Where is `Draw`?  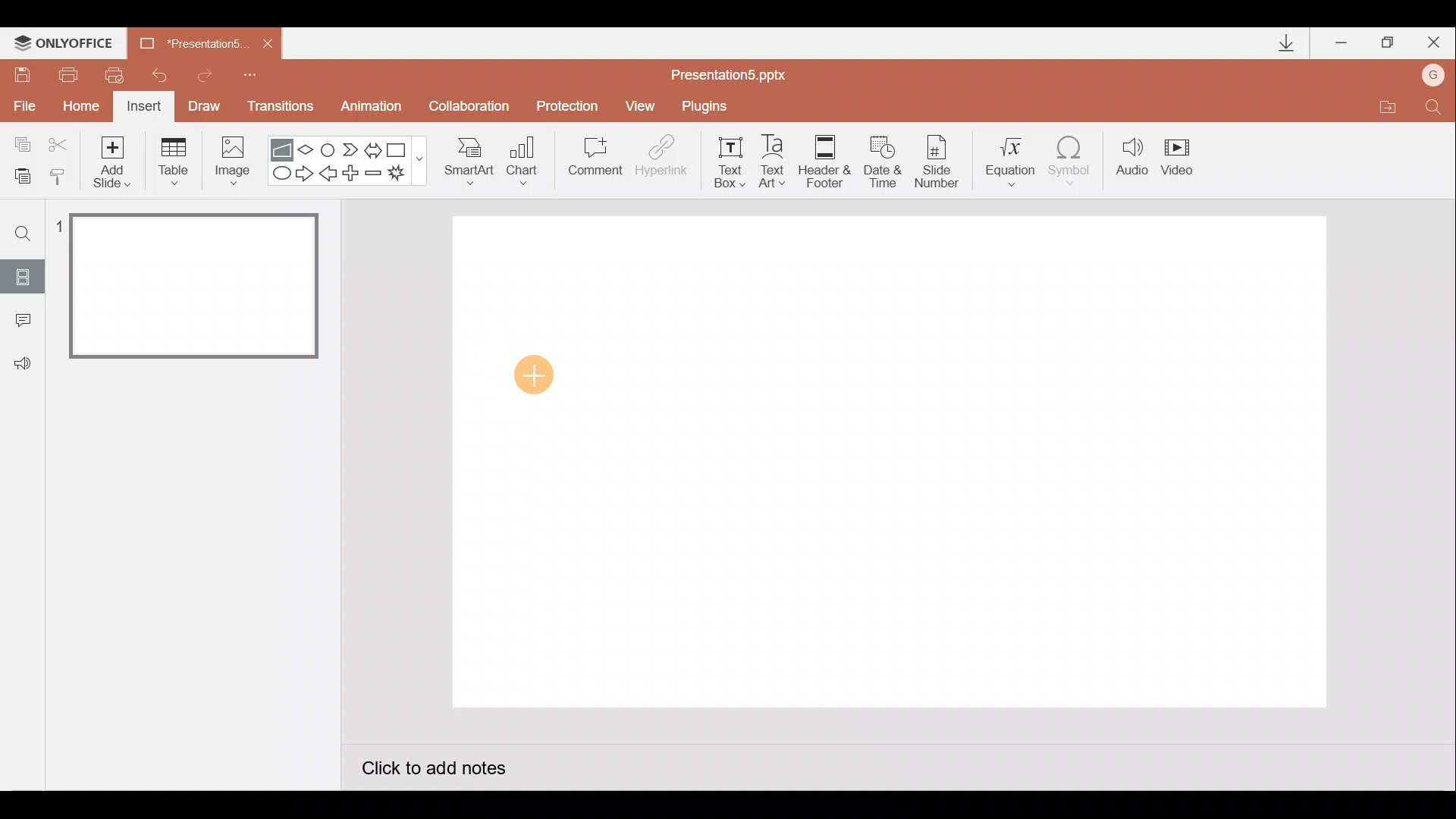
Draw is located at coordinates (205, 105).